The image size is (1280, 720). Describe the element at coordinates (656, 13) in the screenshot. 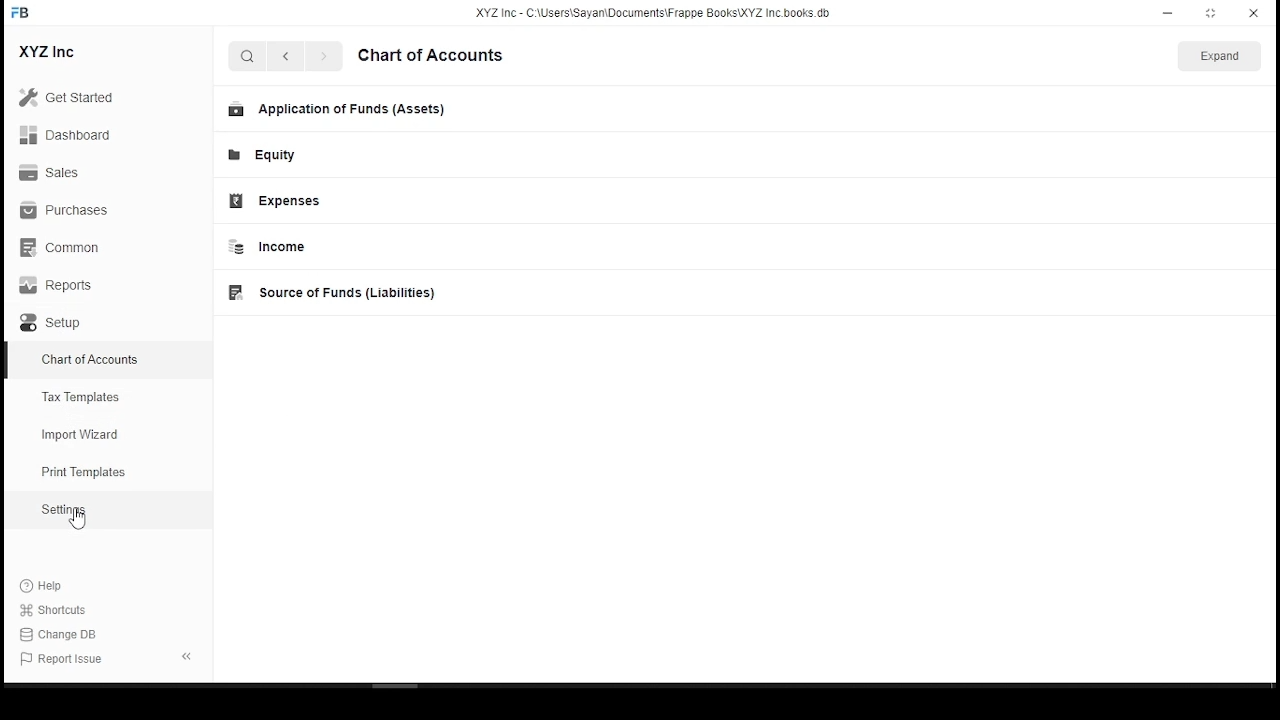

I see `XYZ Inc - C:\users\Sayan\Documents\FrappeBooks\XYZ Incbooks.db` at that location.